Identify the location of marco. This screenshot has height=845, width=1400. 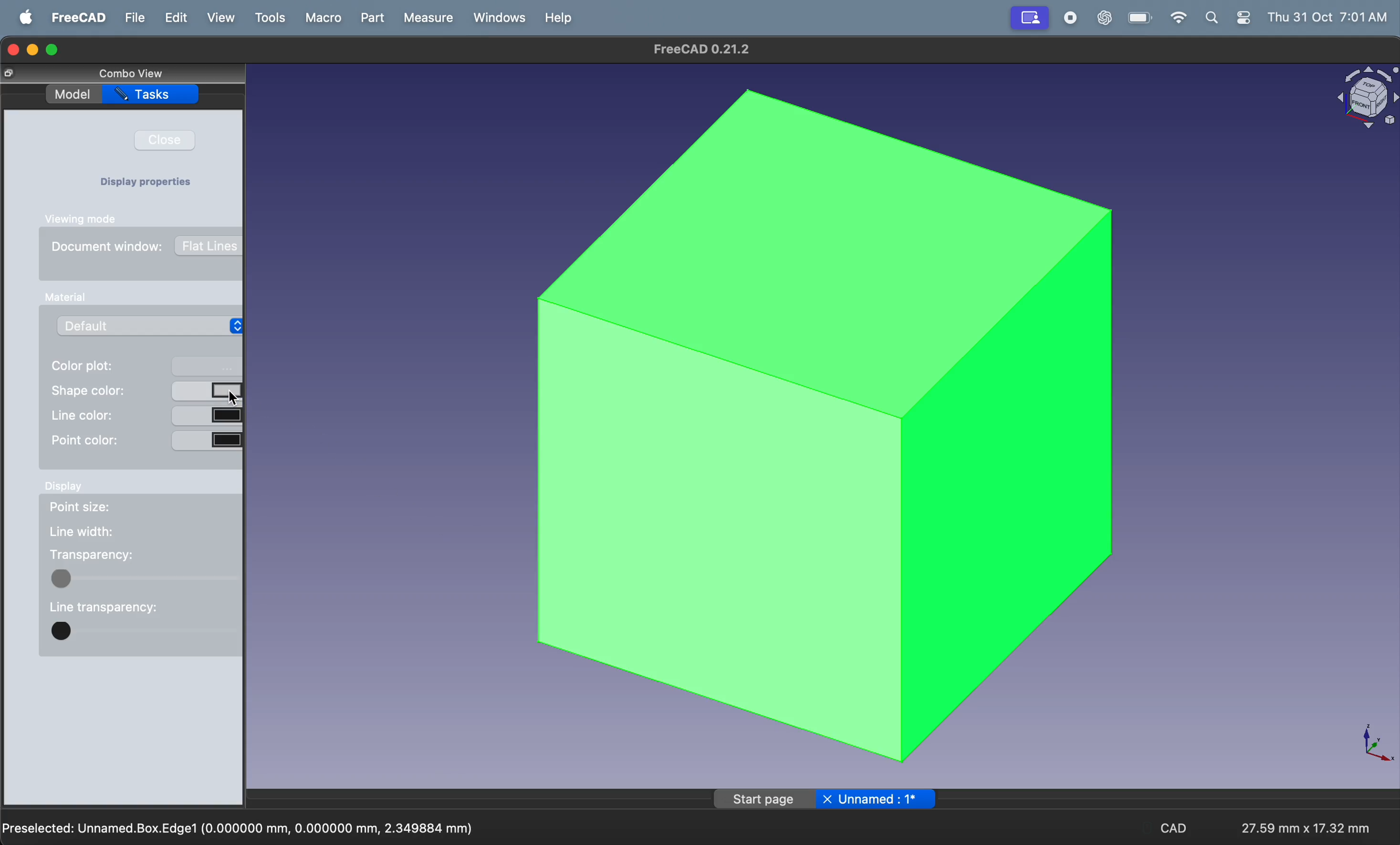
(322, 18).